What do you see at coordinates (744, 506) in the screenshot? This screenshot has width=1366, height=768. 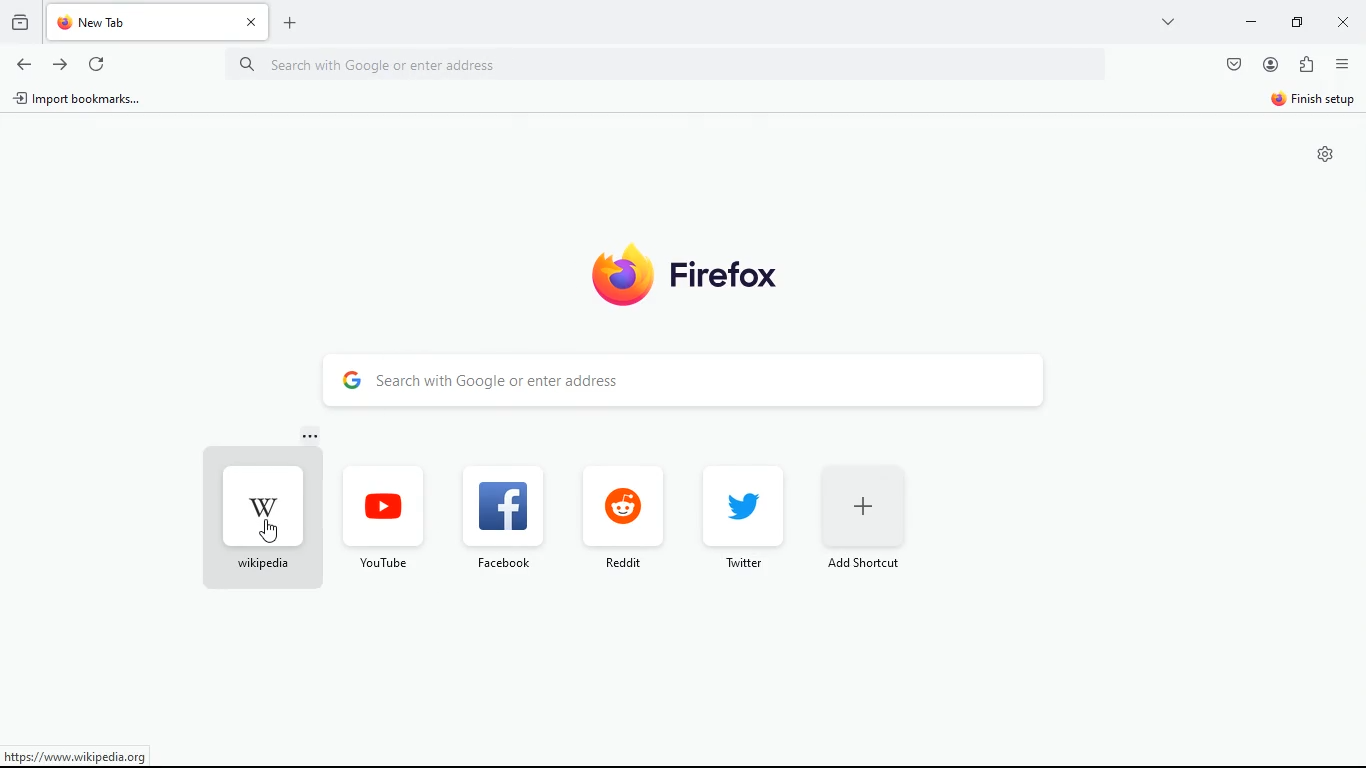 I see `twitter logo` at bounding box center [744, 506].